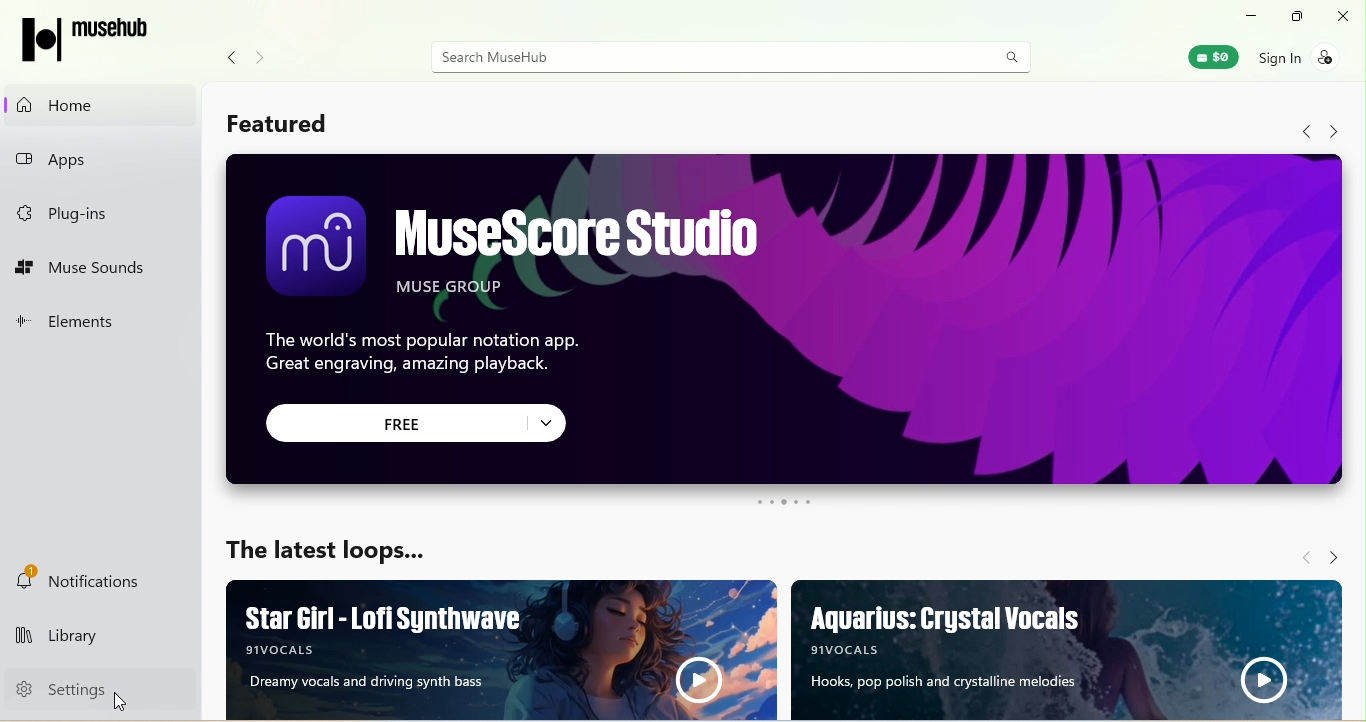 This screenshot has width=1366, height=722. I want to click on Star Girl - Lofi Synthwave, so click(377, 620).